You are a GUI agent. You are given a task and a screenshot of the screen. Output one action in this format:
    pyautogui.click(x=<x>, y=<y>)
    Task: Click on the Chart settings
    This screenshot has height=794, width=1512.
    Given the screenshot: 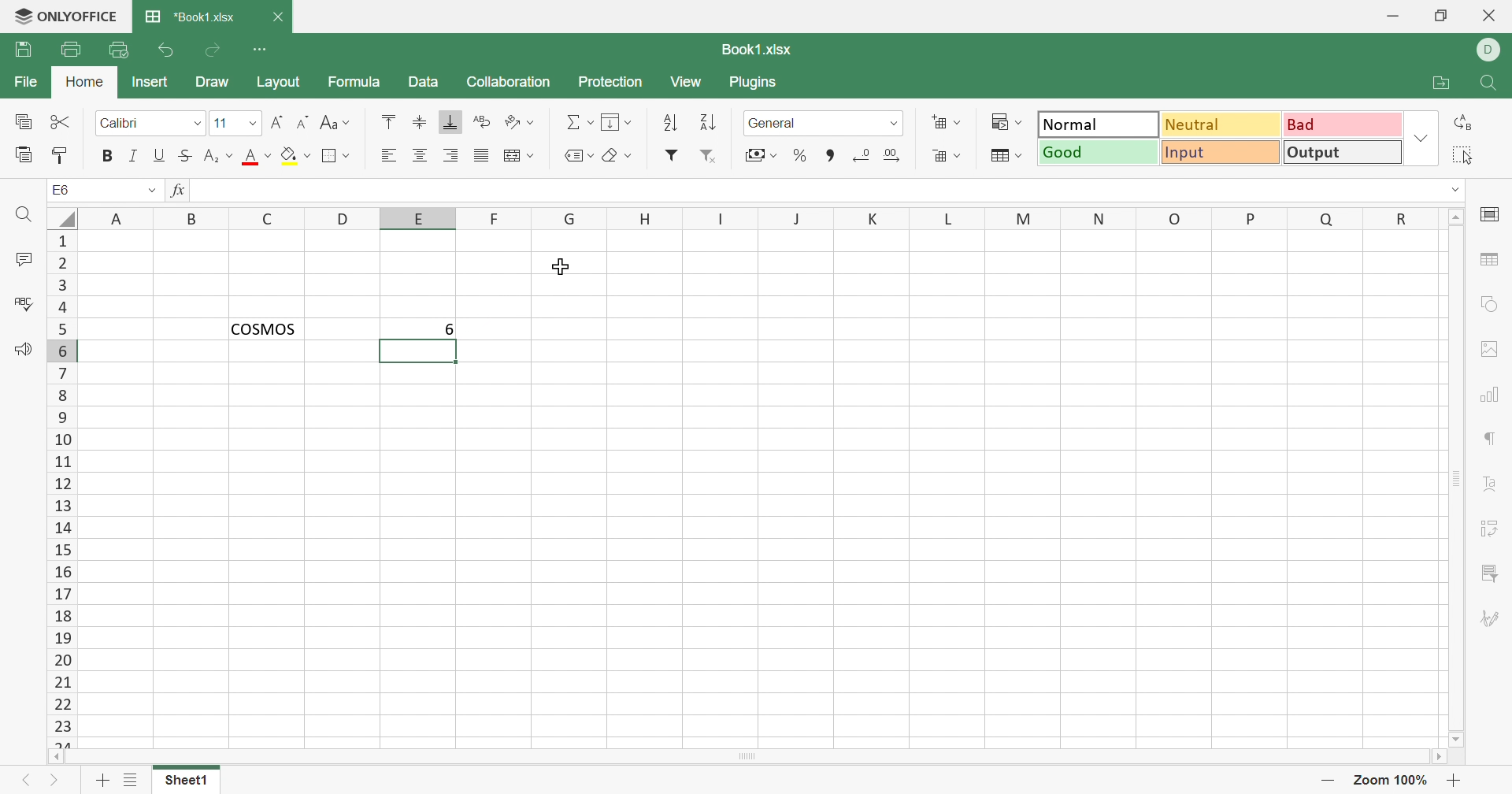 What is the action you would take?
    pyautogui.click(x=1487, y=397)
    